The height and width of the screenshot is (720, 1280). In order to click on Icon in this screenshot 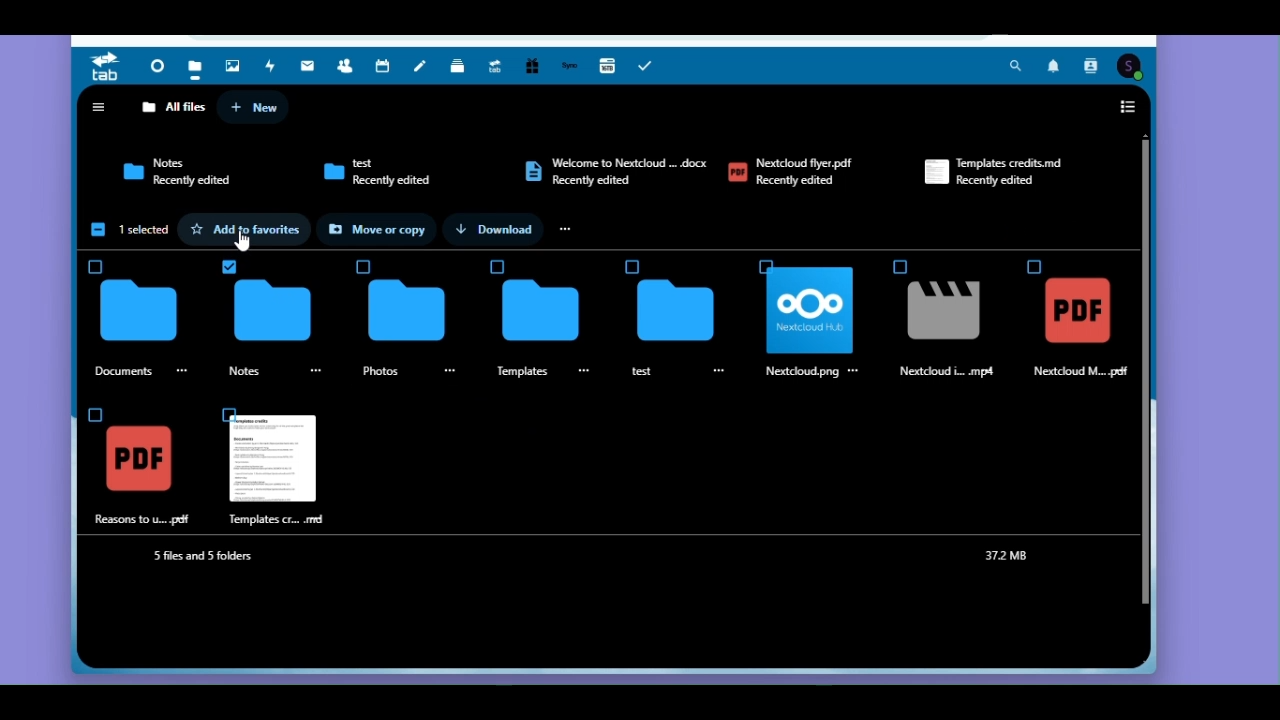, I will do `click(198, 229)`.